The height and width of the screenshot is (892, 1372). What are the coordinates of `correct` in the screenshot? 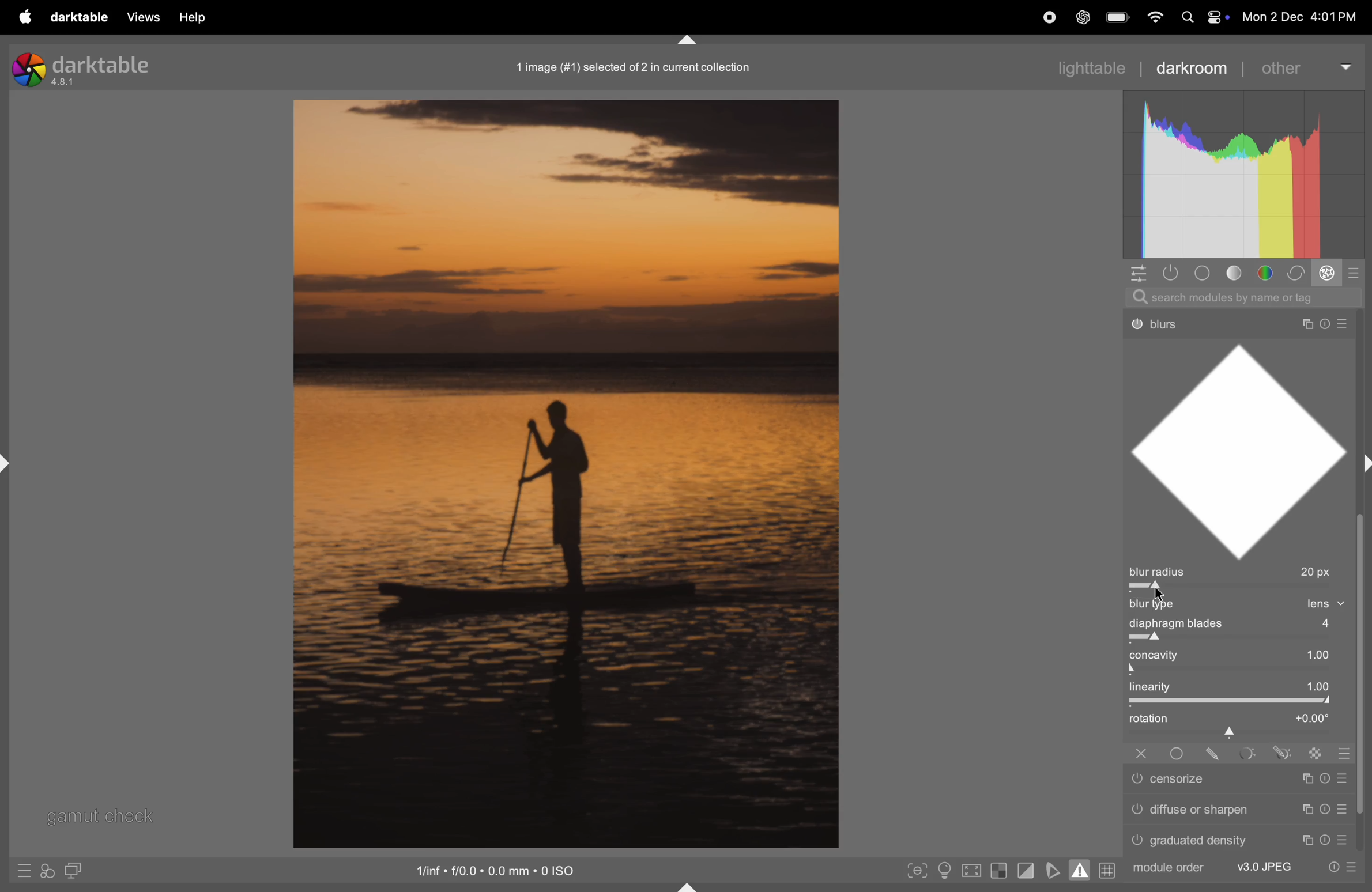 It's located at (1299, 273).